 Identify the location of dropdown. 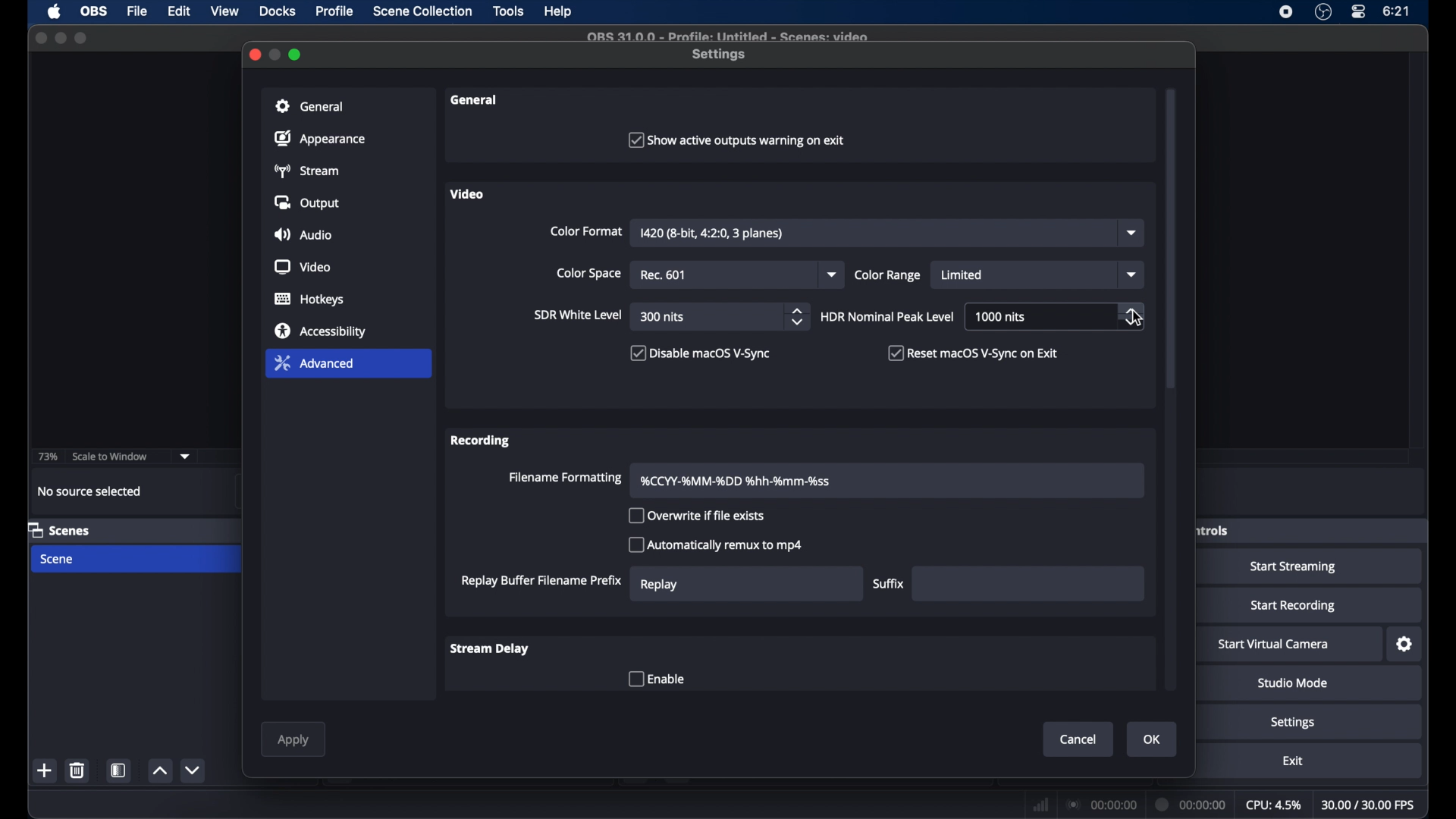
(833, 275).